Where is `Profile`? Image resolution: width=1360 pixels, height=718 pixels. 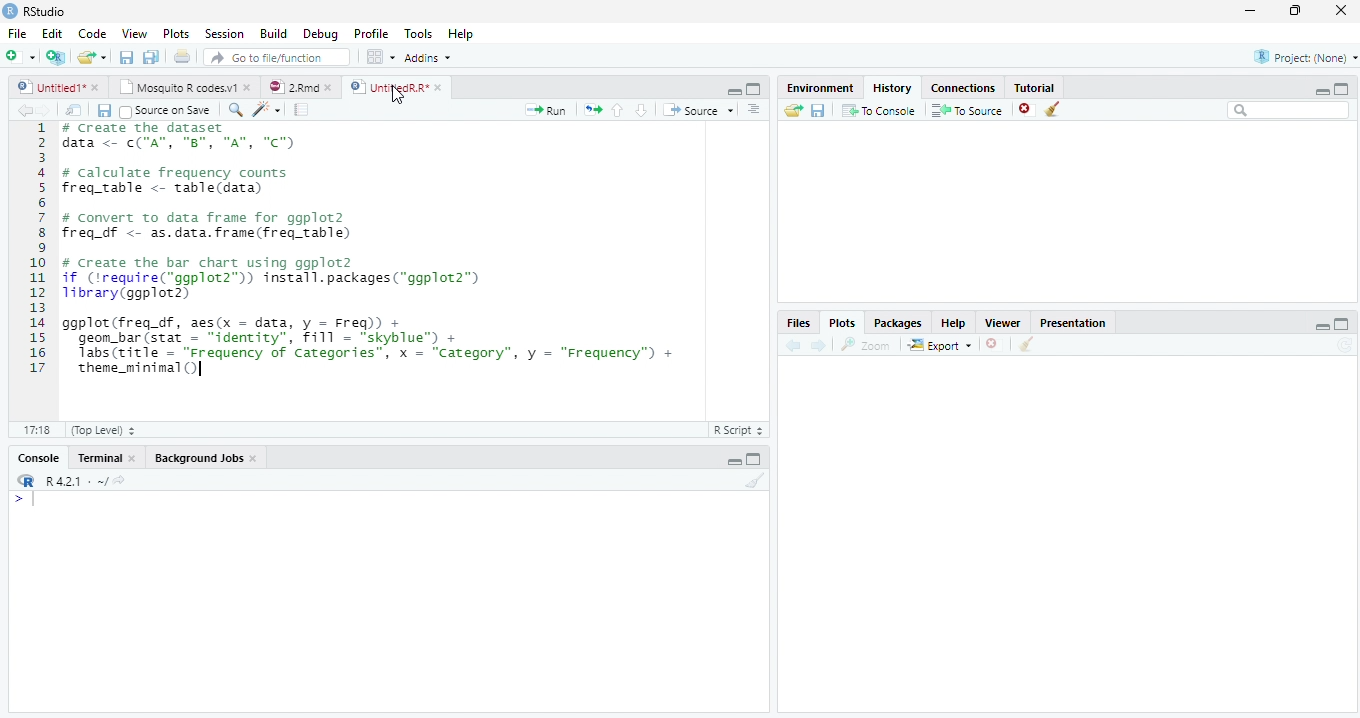 Profile is located at coordinates (371, 34).